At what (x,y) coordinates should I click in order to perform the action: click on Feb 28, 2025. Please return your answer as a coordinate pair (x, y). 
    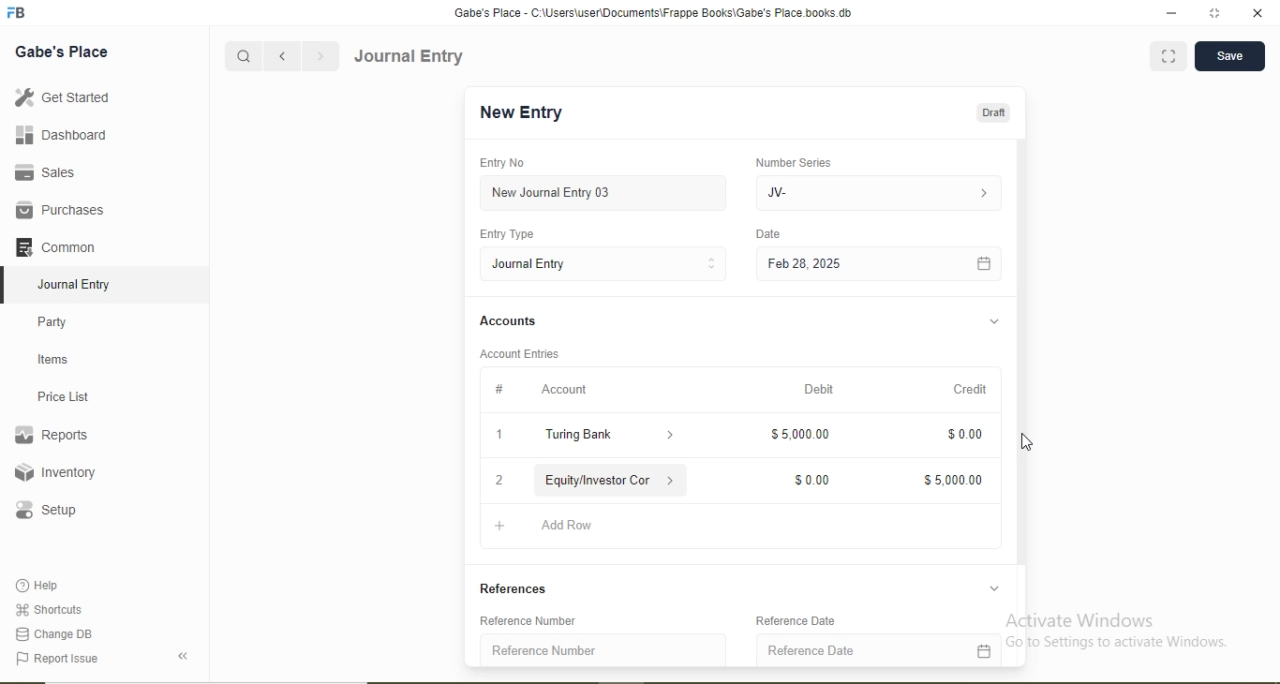
    Looking at the image, I should click on (804, 263).